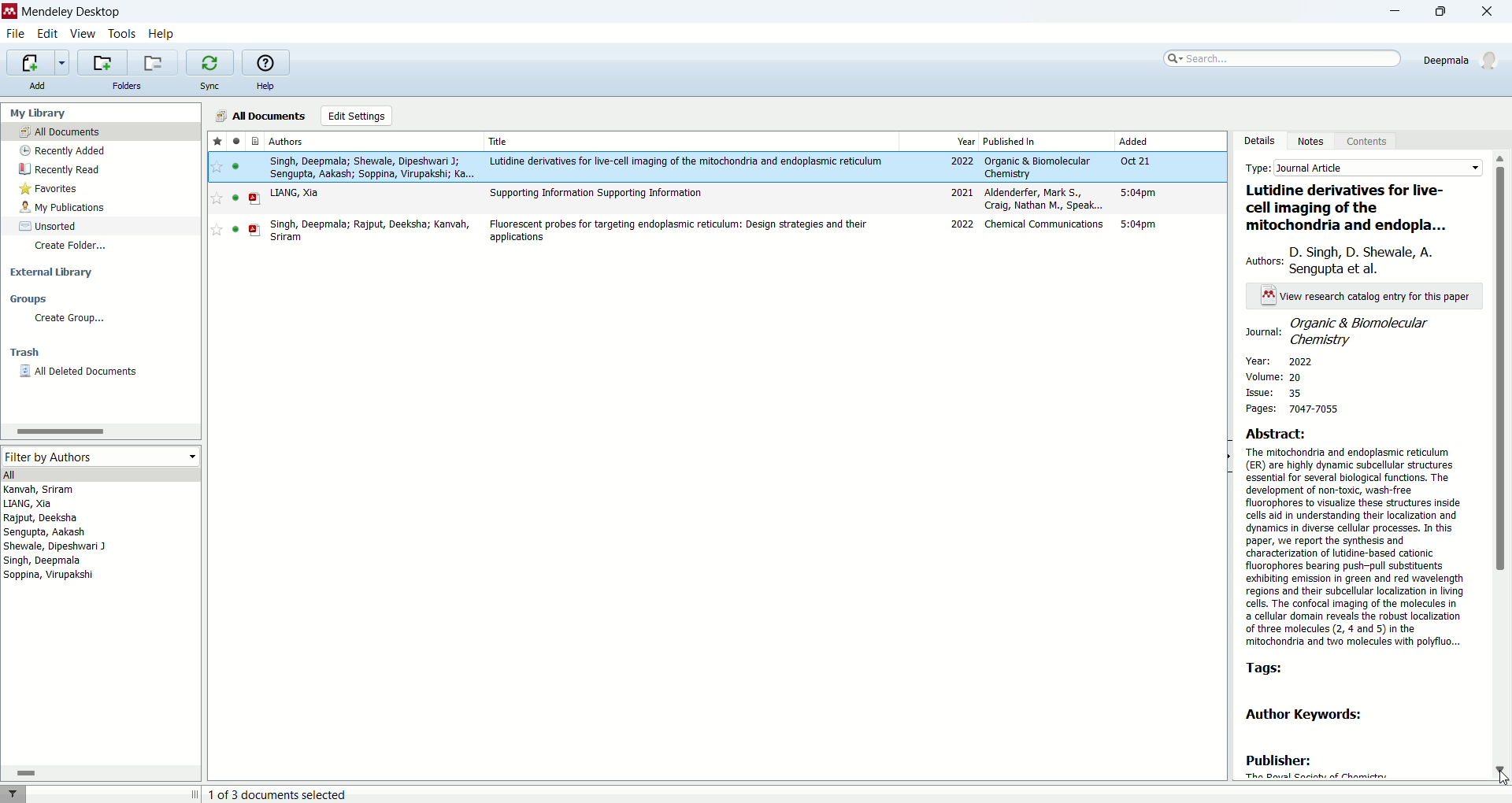  Describe the element at coordinates (217, 229) in the screenshot. I see `favorite` at that location.